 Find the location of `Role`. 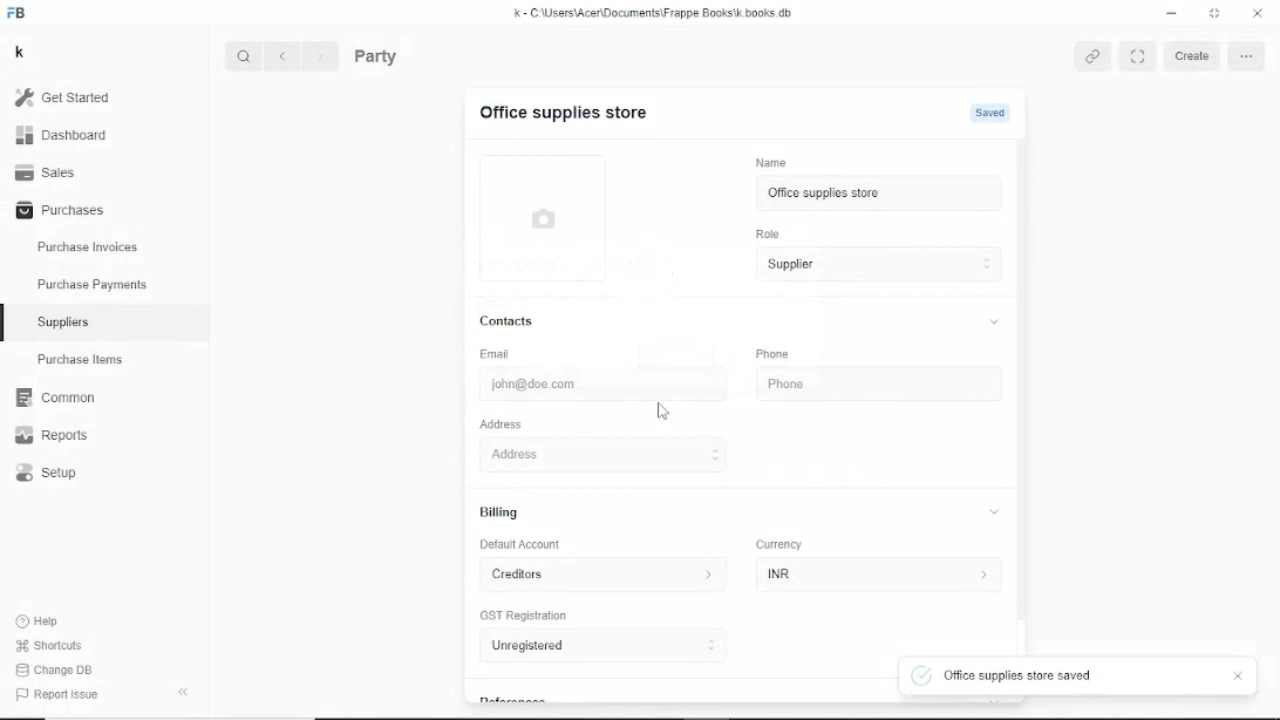

Role is located at coordinates (768, 233).